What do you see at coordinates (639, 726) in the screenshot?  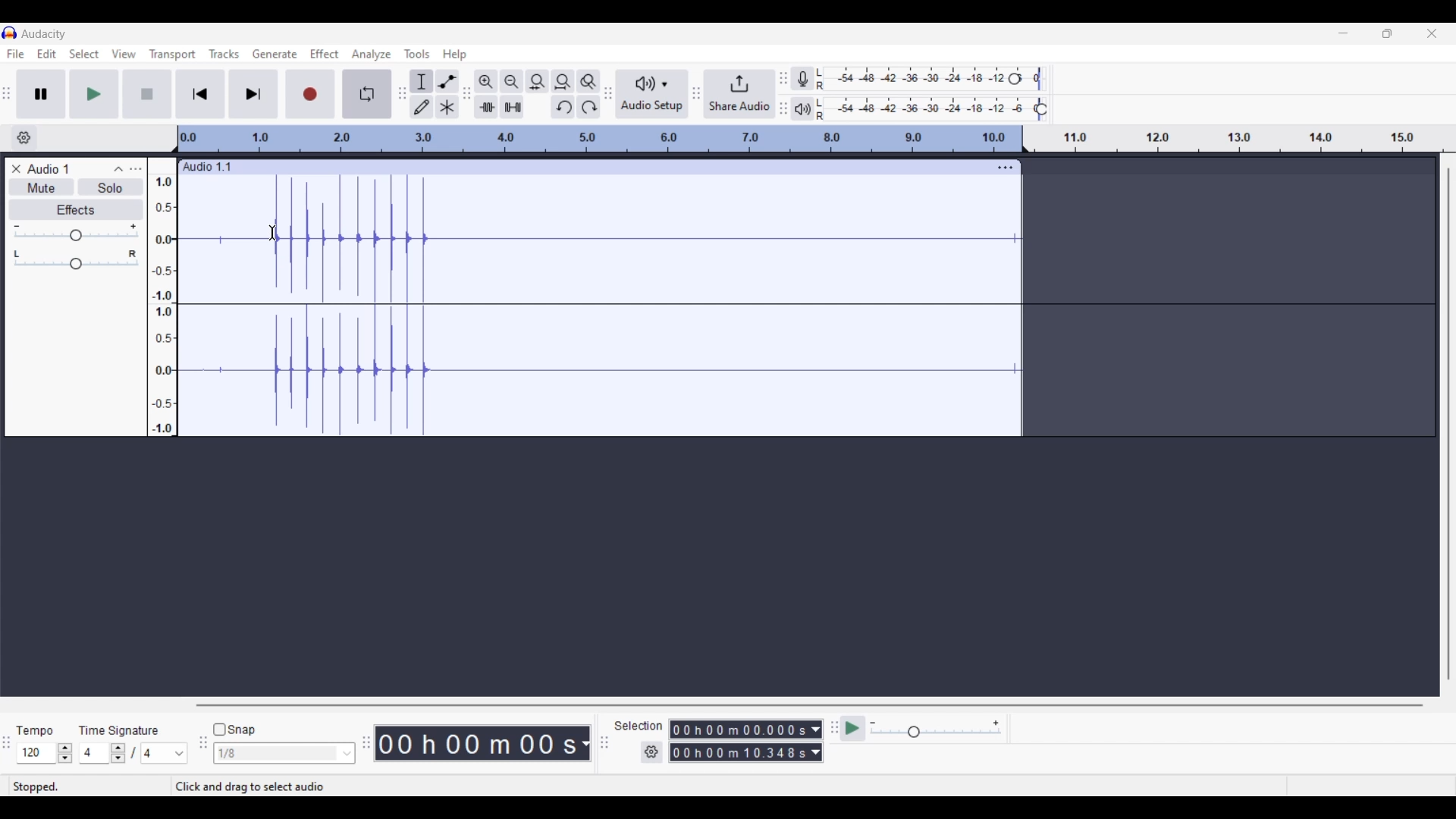 I see `Selection` at bounding box center [639, 726].